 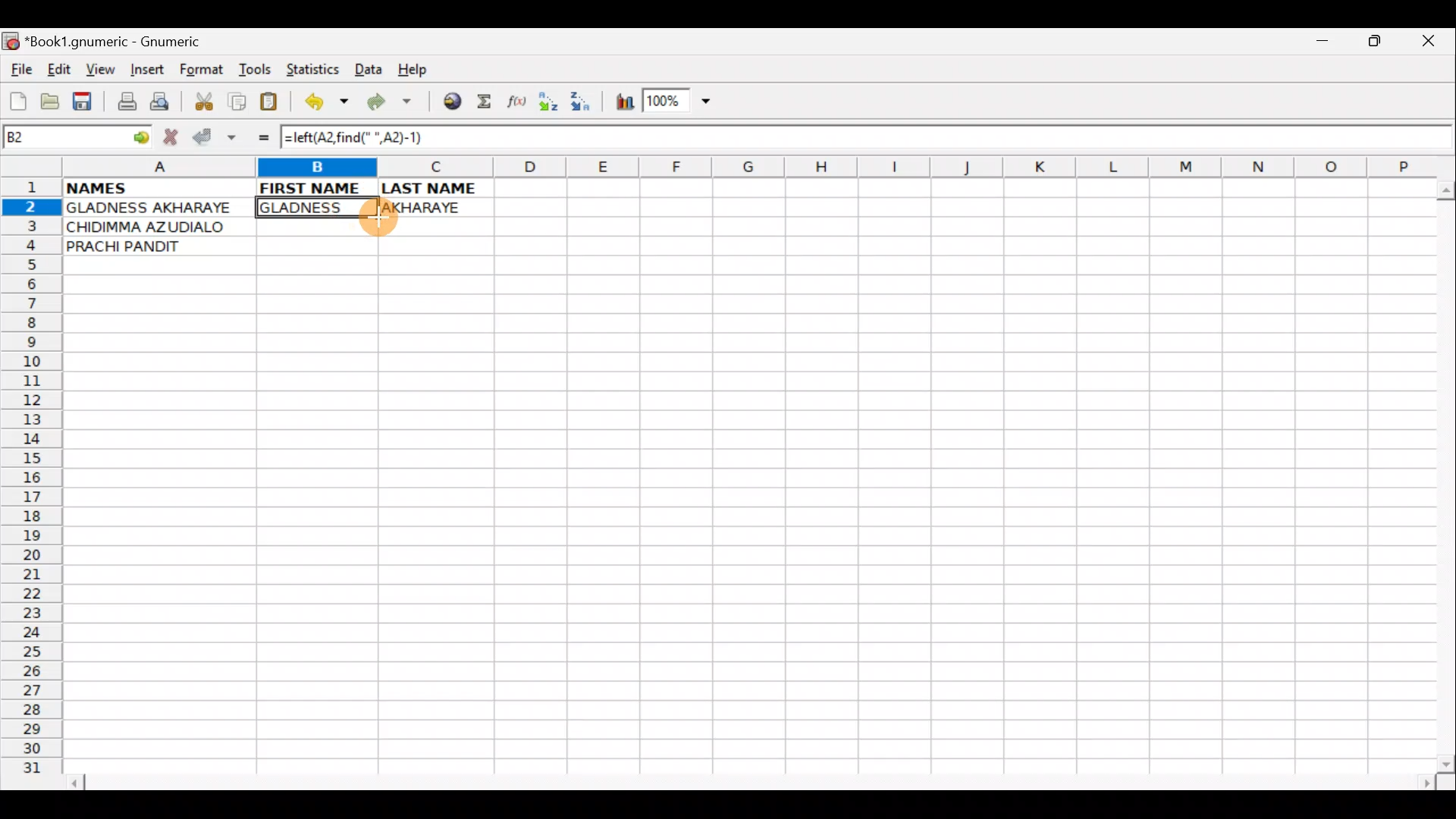 What do you see at coordinates (238, 101) in the screenshot?
I see `Copy selection` at bounding box center [238, 101].